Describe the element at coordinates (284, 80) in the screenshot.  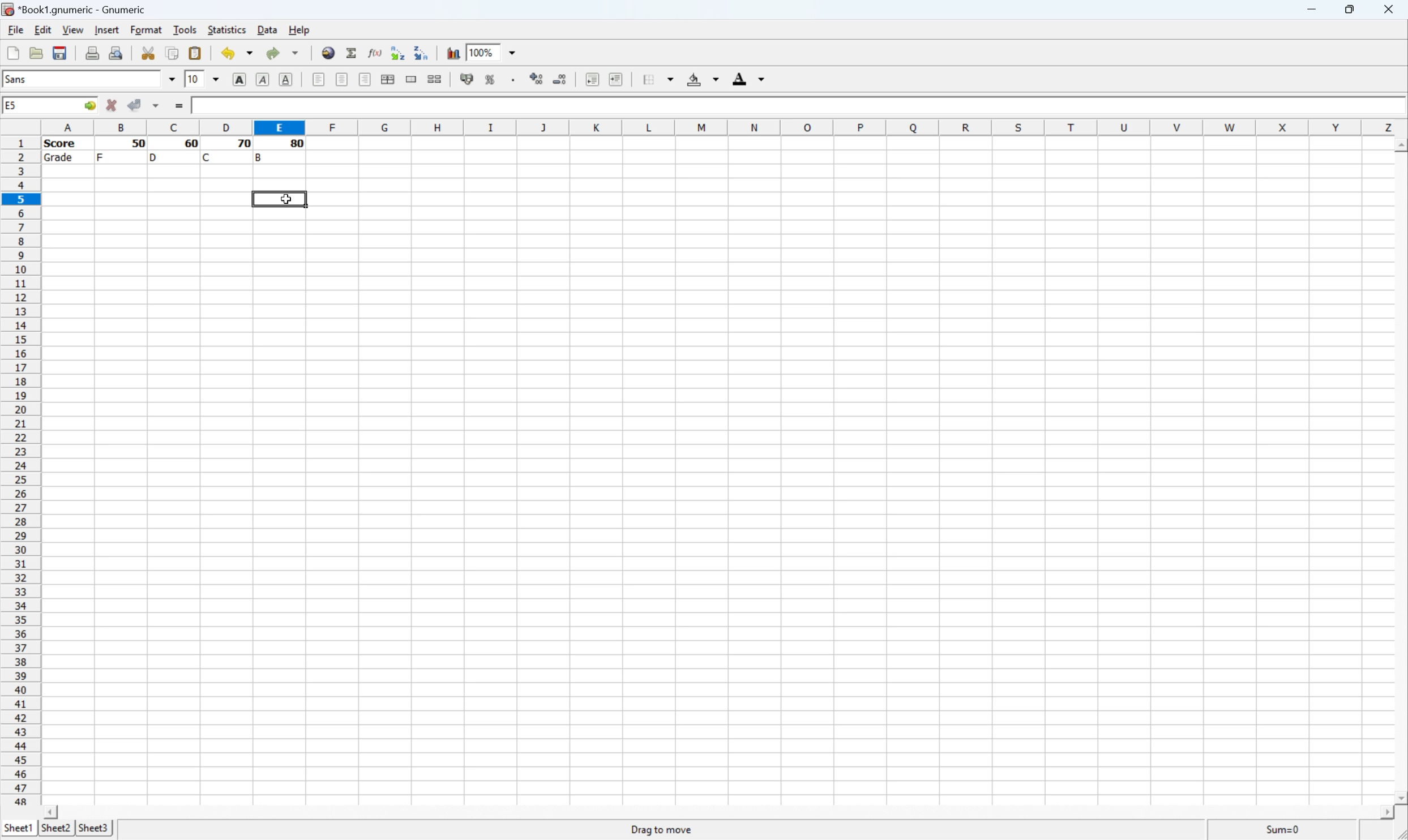
I see `Underline` at that location.